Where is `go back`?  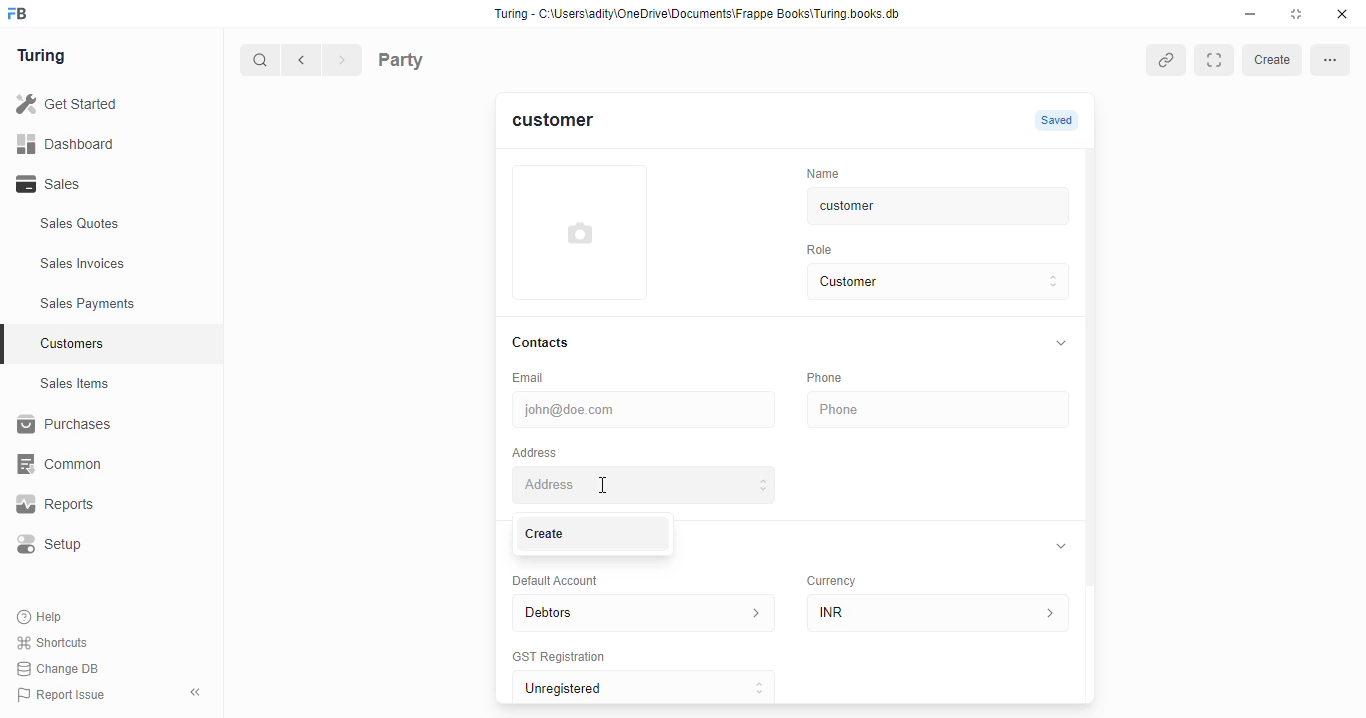
go back is located at coordinates (305, 61).